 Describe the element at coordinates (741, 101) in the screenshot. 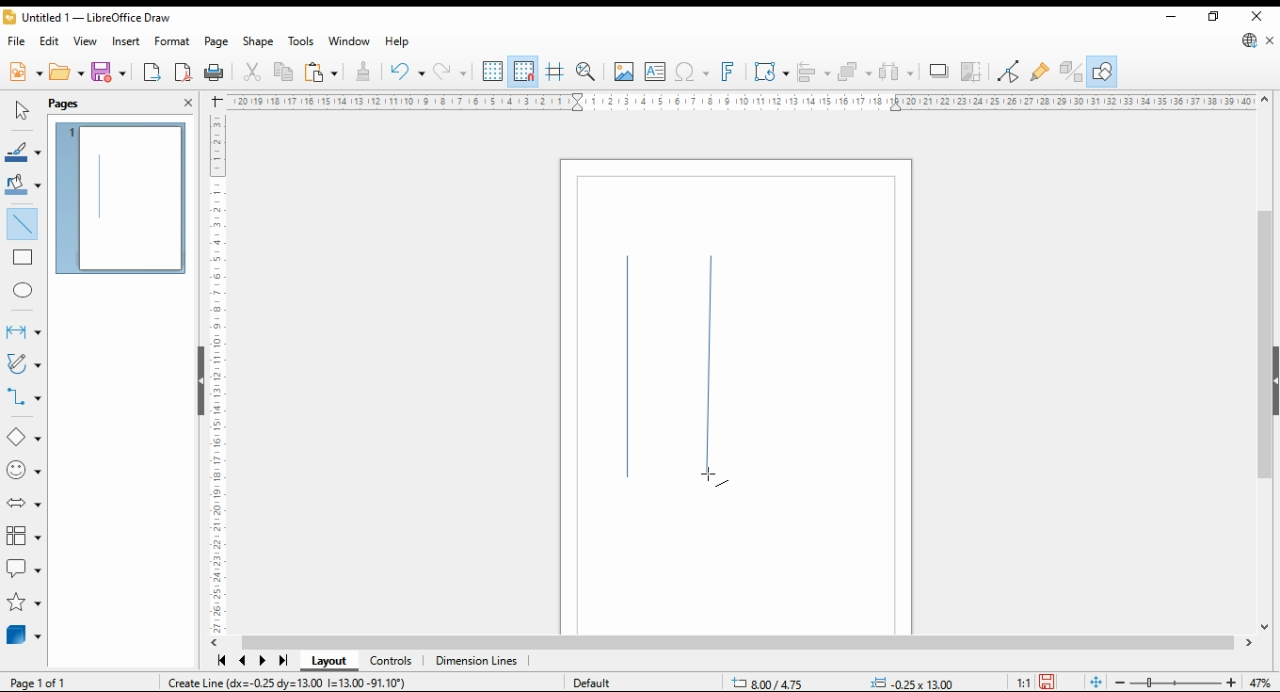

I see `horizontal scale` at that location.